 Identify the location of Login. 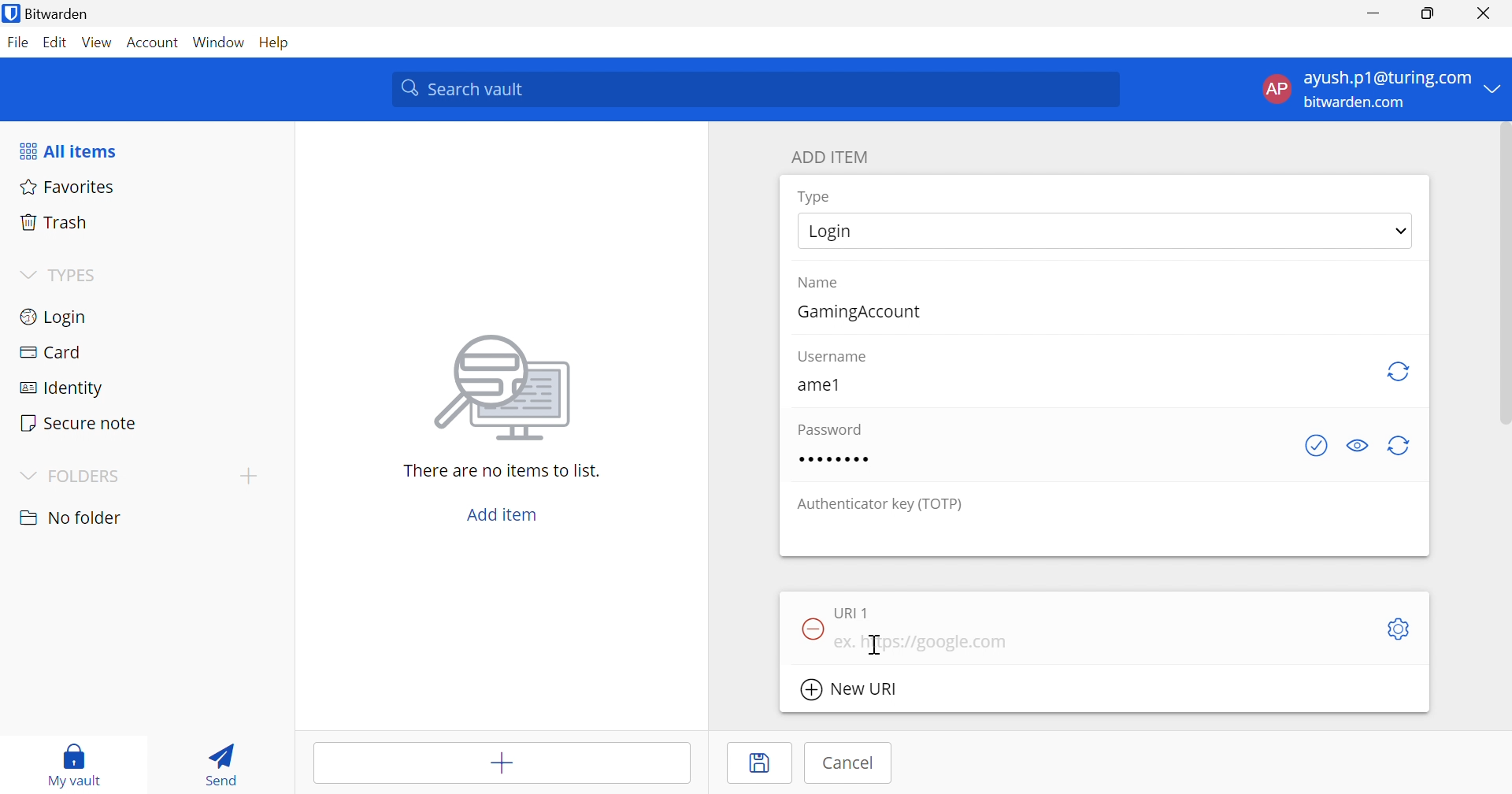
(834, 232).